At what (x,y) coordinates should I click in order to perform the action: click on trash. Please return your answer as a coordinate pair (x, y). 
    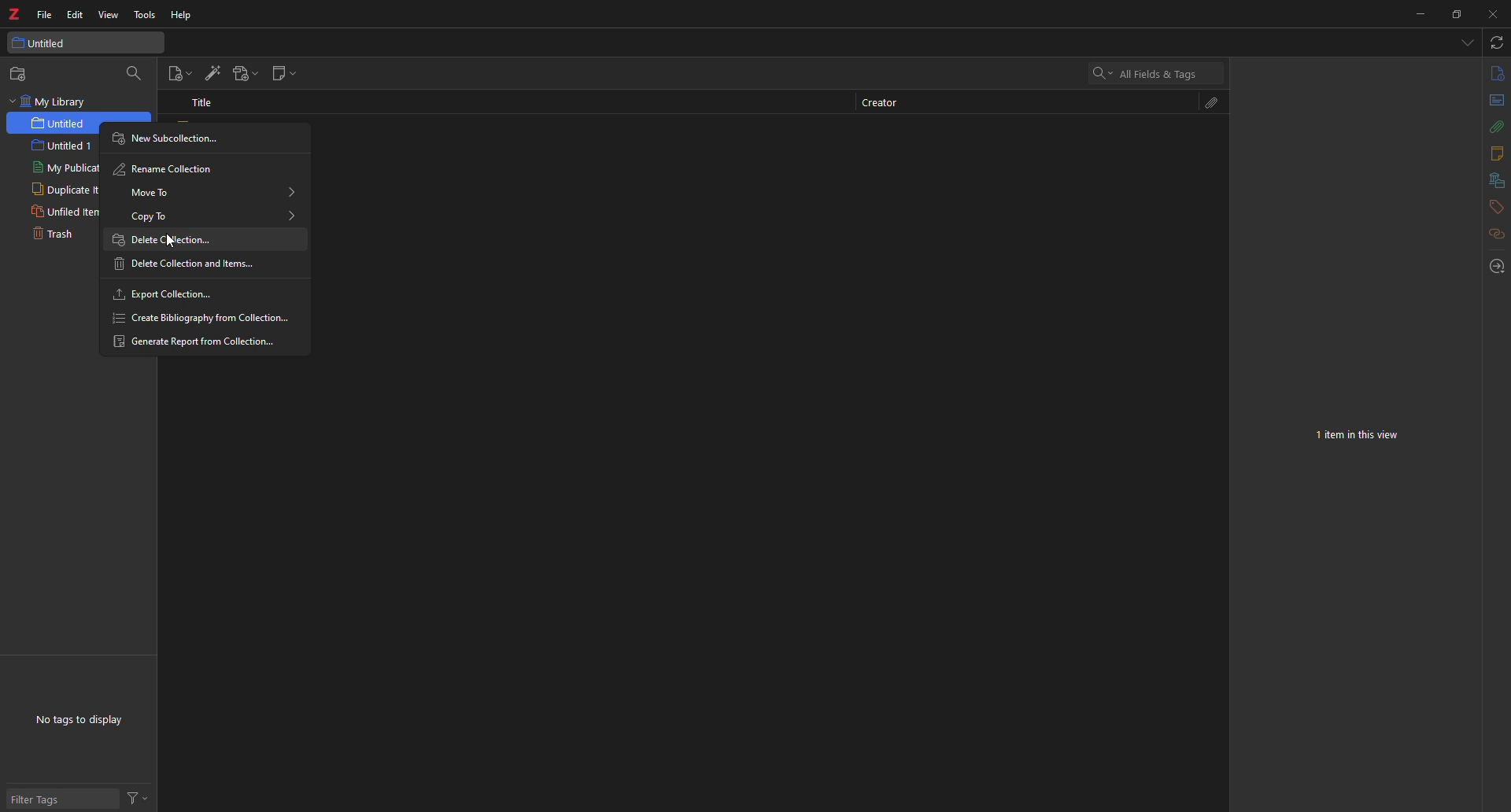
    Looking at the image, I should click on (54, 234).